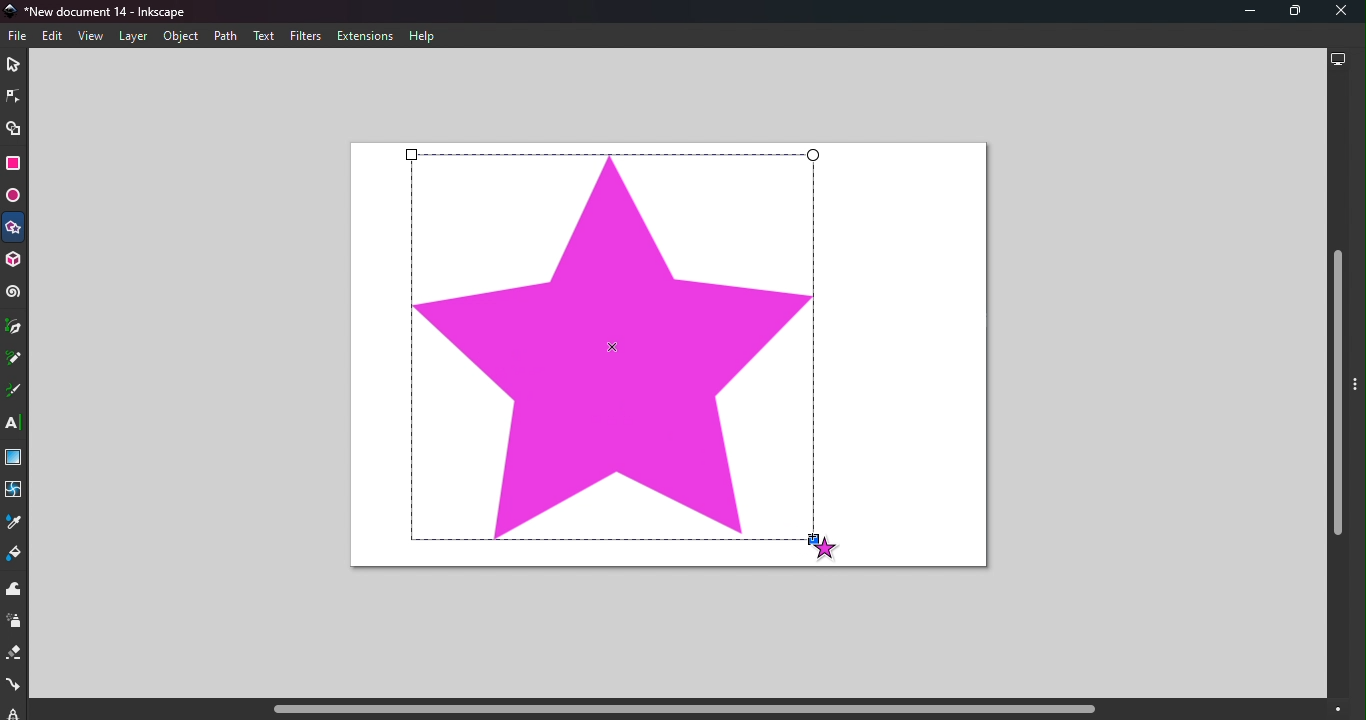 This screenshot has width=1366, height=720. I want to click on Tweak tool, so click(17, 590).